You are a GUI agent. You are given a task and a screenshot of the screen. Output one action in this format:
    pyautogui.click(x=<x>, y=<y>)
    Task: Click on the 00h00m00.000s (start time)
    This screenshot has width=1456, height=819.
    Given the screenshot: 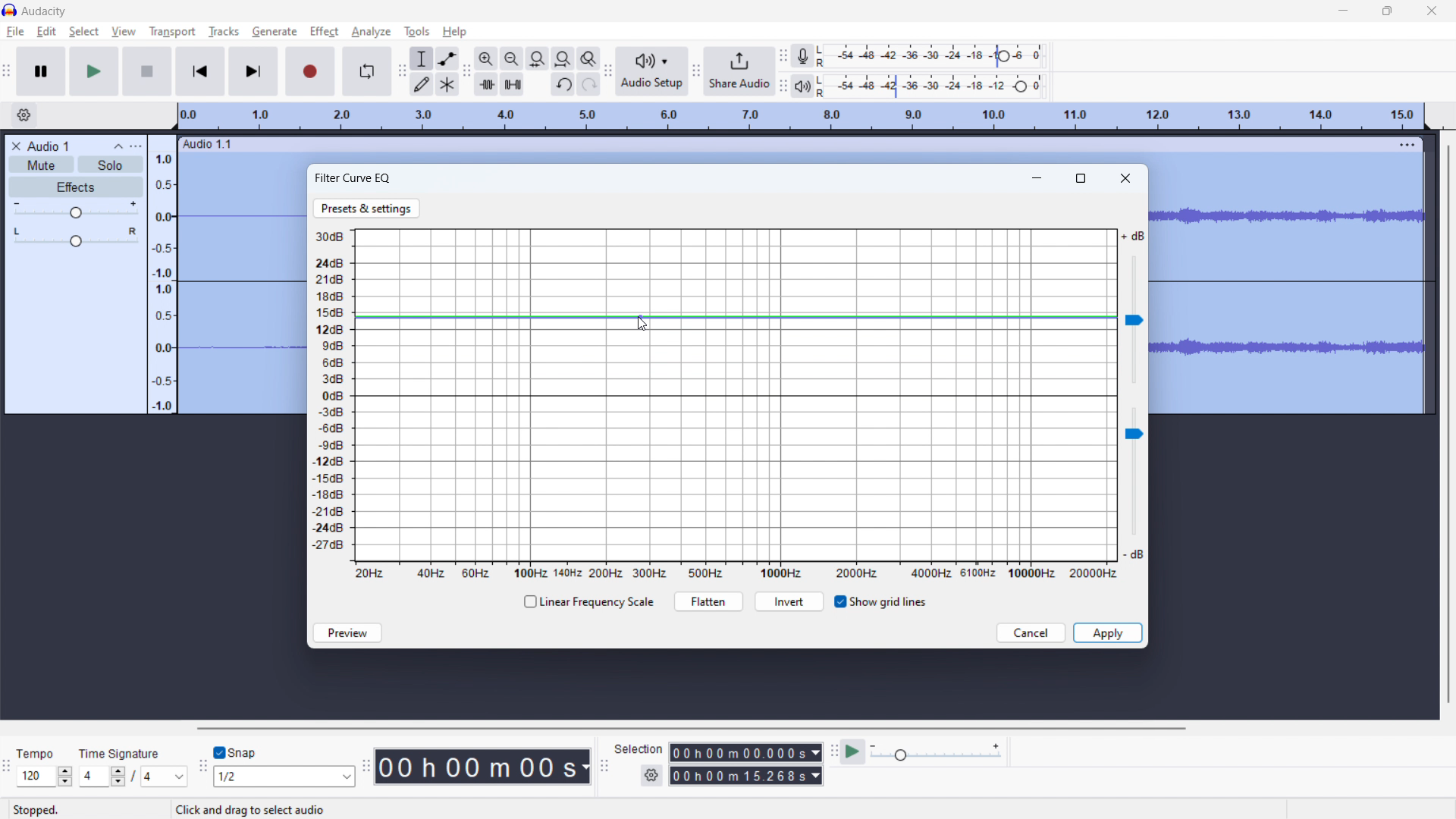 What is the action you would take?
    pyautogui.click(x=745, y=751)
    